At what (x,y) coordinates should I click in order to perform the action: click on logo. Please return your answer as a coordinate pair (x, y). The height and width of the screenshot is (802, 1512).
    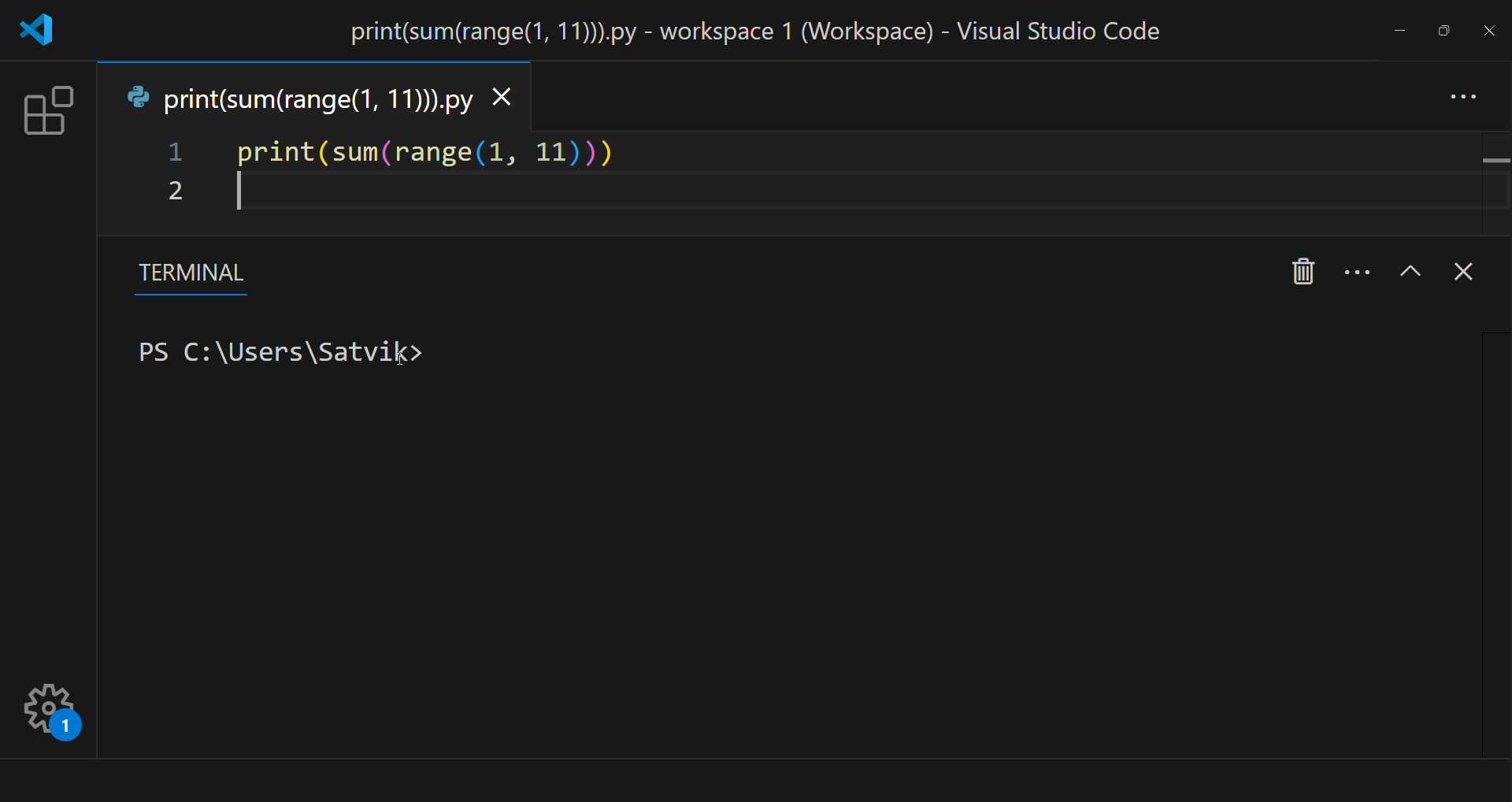
    Looking at the image, I should click on (41, 28).